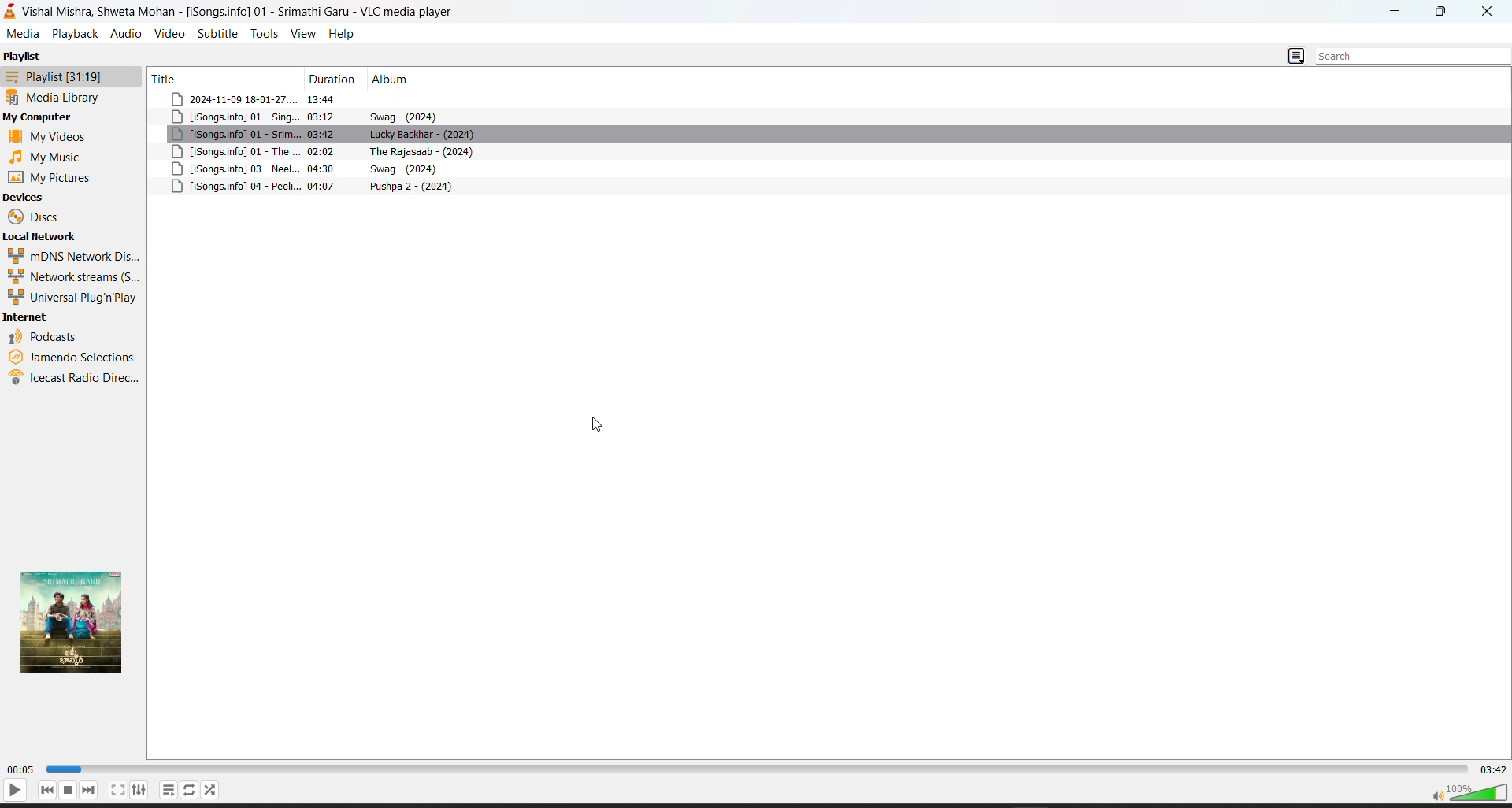 This screenshot has height=808, width=1512. What do you see at coordinates (24, 55) in the screenshot?
I see `playlist` at bounding box center [24, 55].